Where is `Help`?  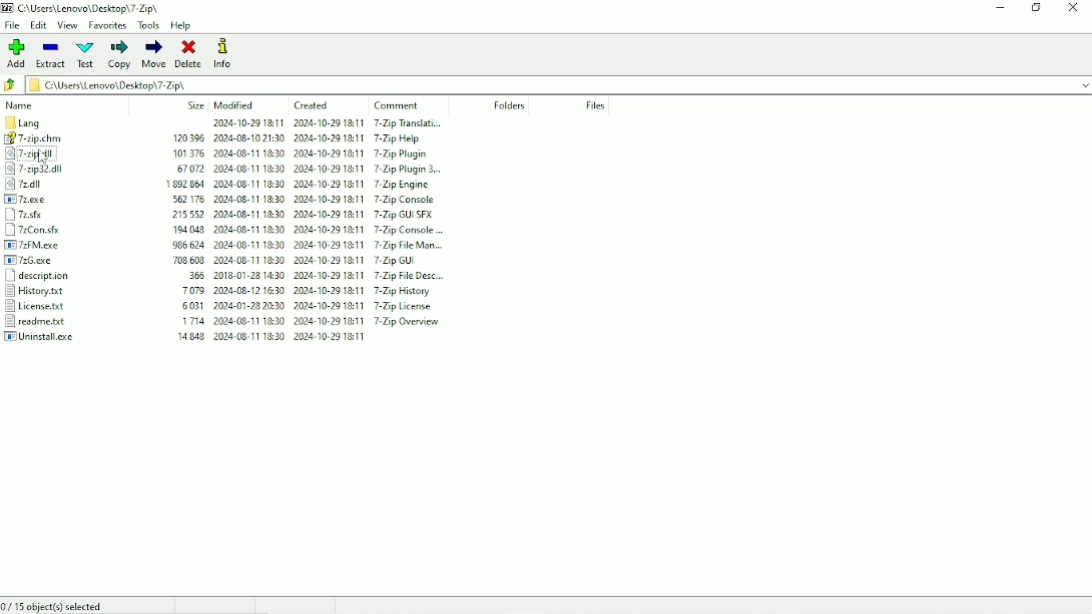 Help is located at coordinates (182, 26).